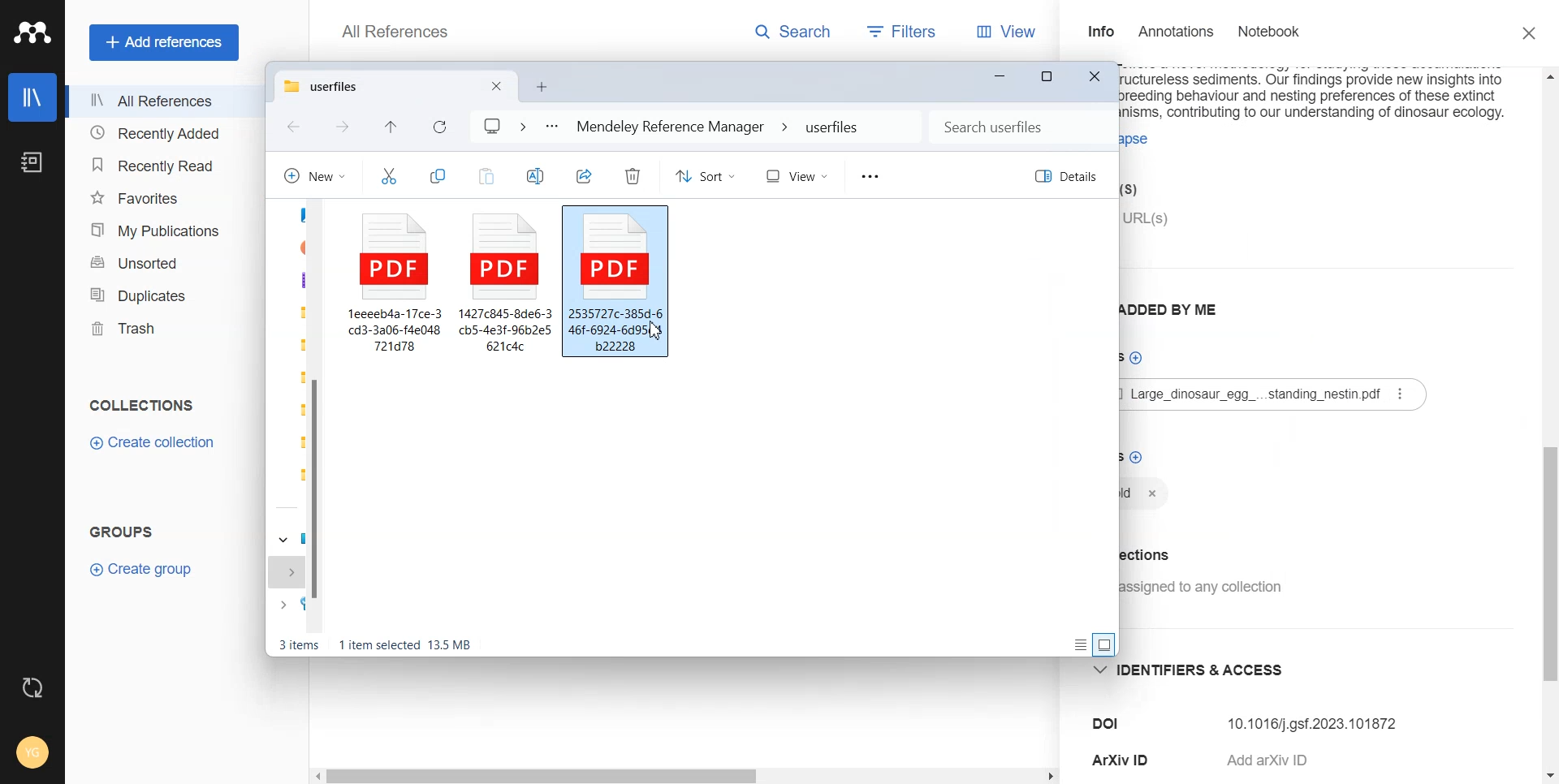 The image size is (1559, 784). Describe the element at coordinates (1269, 33) in the screenshot. I see `Notebook` at that location.